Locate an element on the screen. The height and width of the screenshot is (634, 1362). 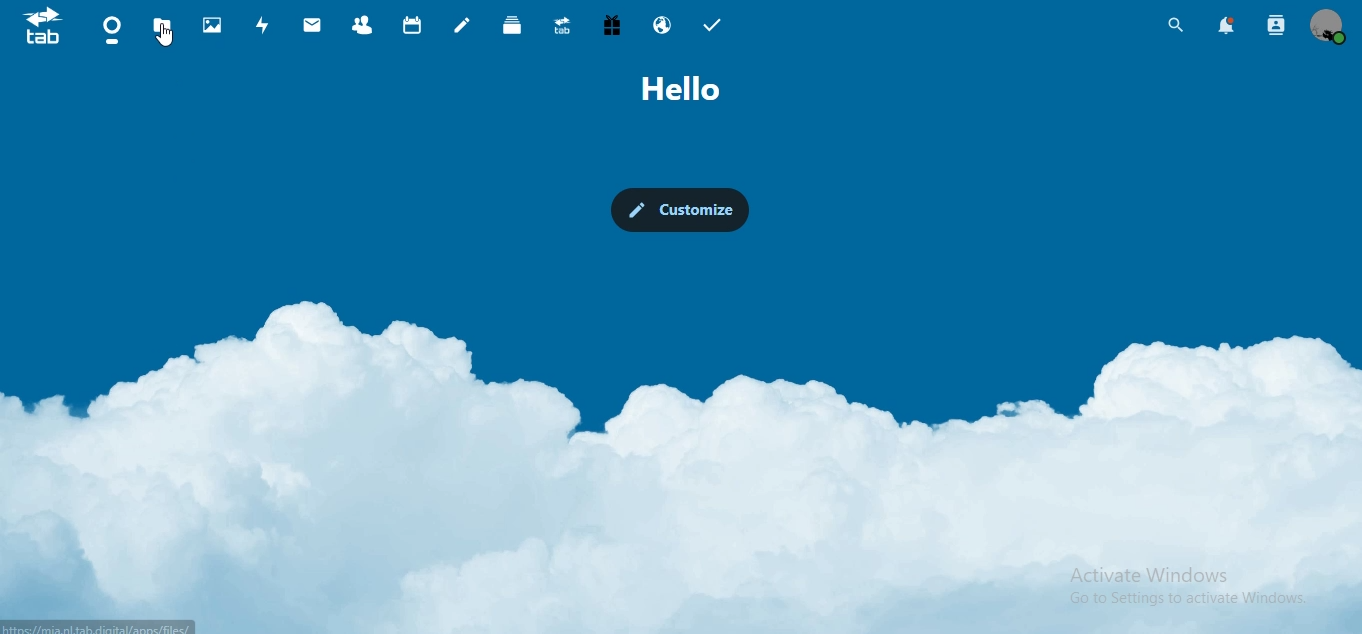
calendar is located at coordinates (414, 26).